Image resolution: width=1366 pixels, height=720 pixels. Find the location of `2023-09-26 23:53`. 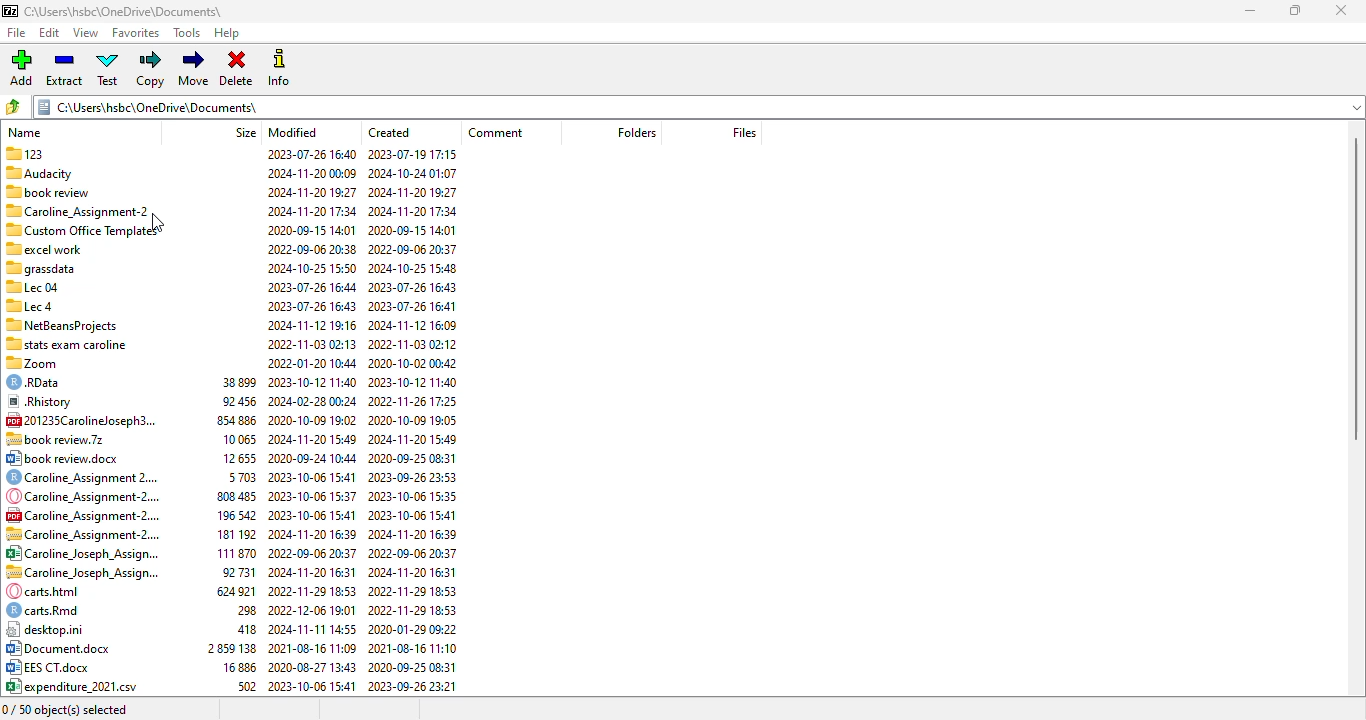

2023-09-26 23:53 is located at coordinates (411, 477).